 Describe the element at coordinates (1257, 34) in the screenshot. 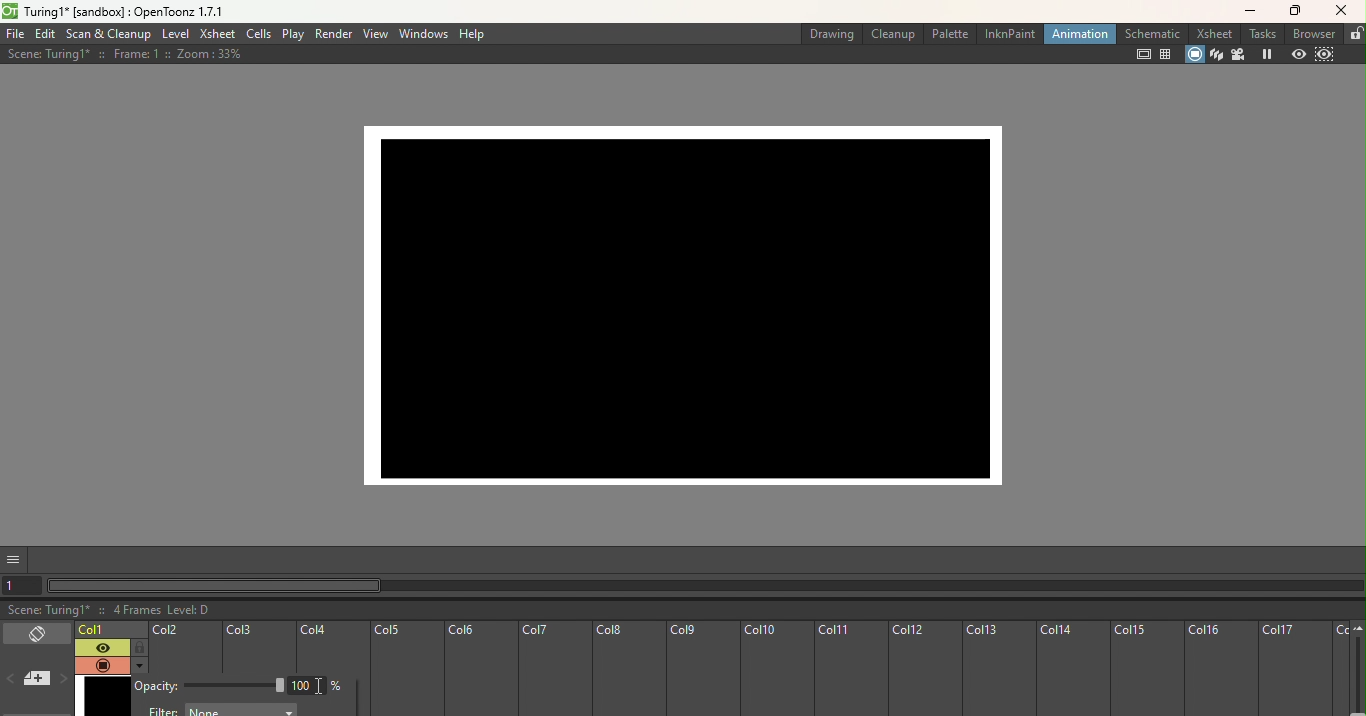

I see `Tasks` at that location.